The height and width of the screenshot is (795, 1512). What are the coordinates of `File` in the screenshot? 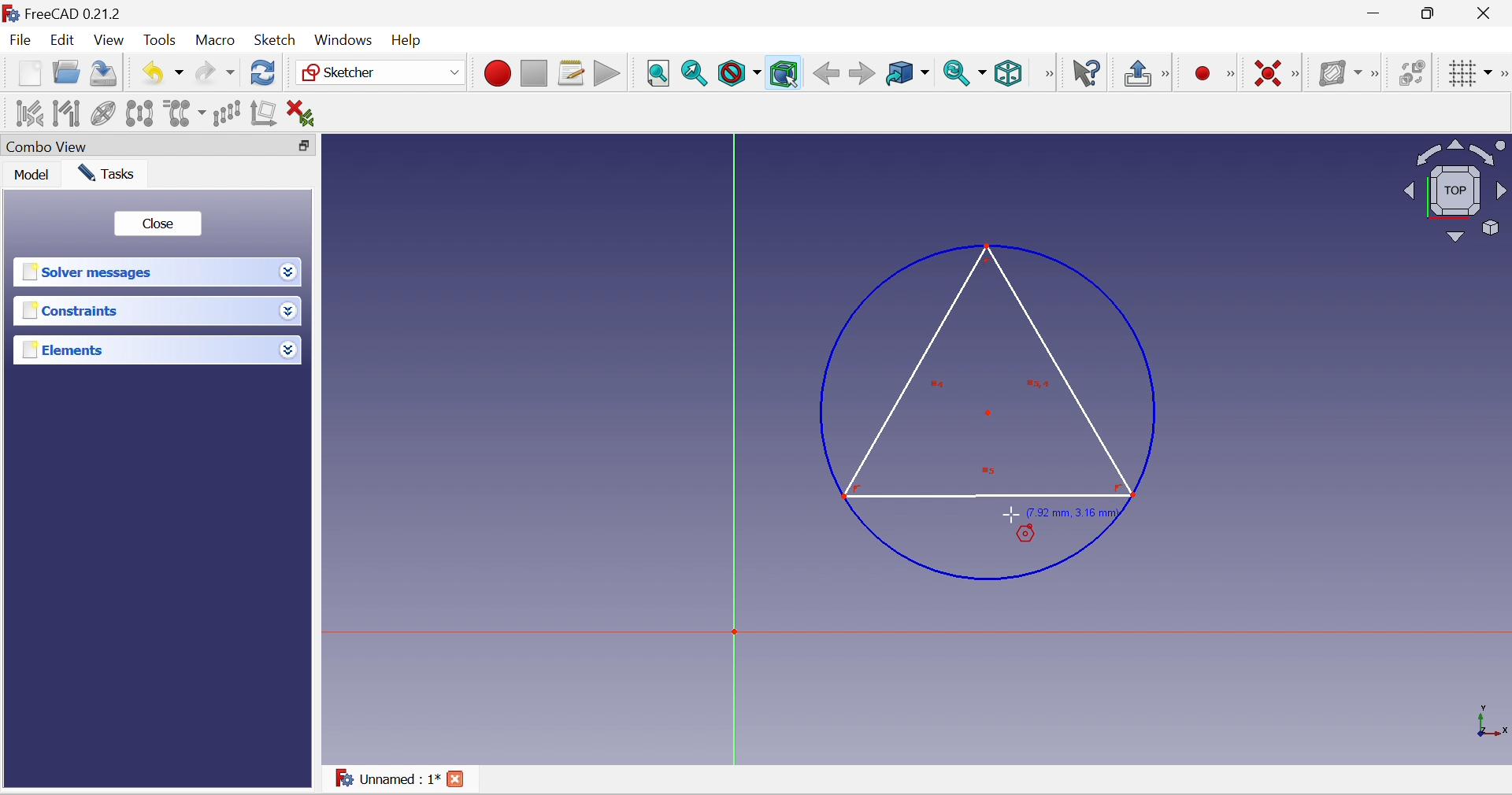 It's located at (20, 39).